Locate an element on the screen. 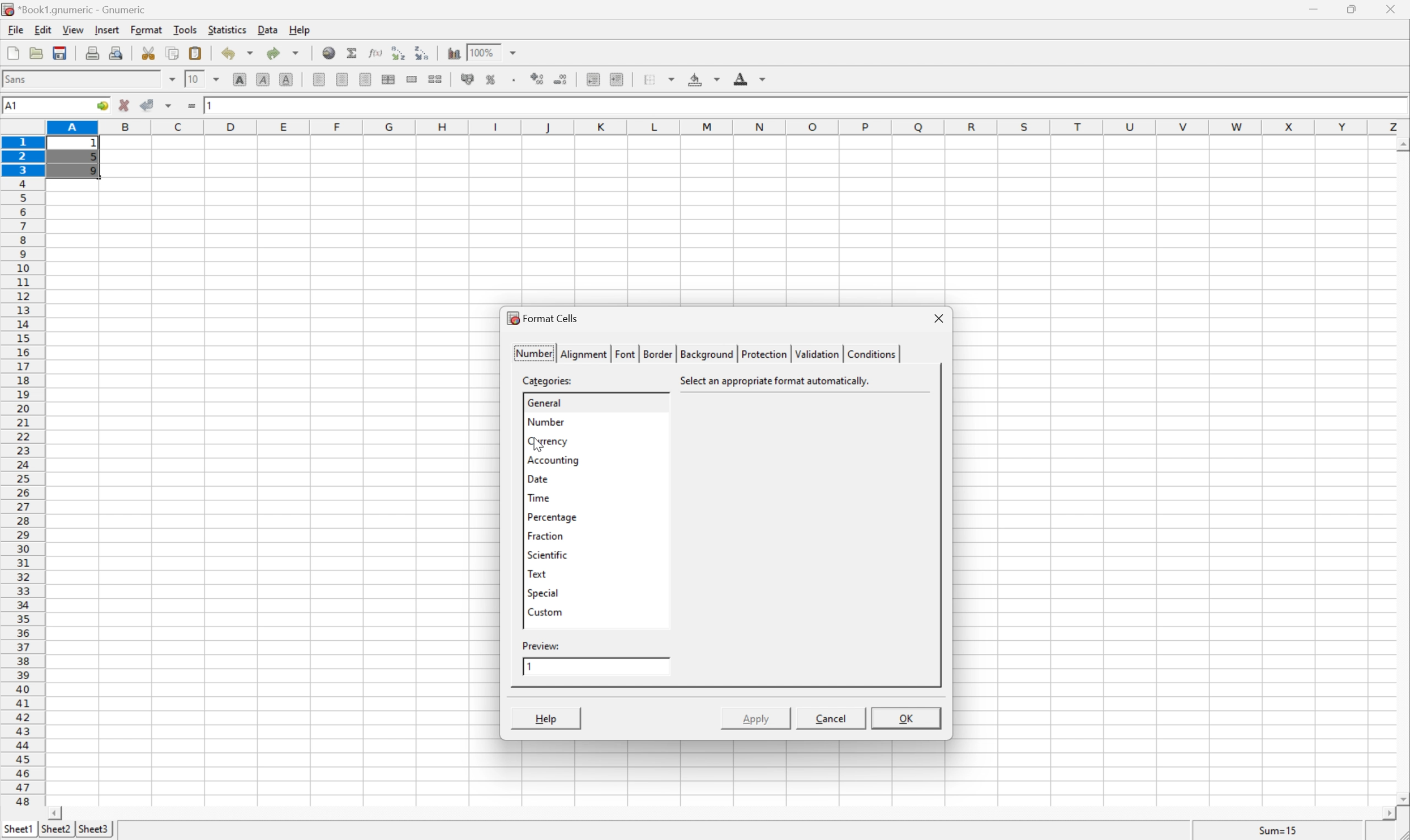  1 is located at coordinates (96, 144).